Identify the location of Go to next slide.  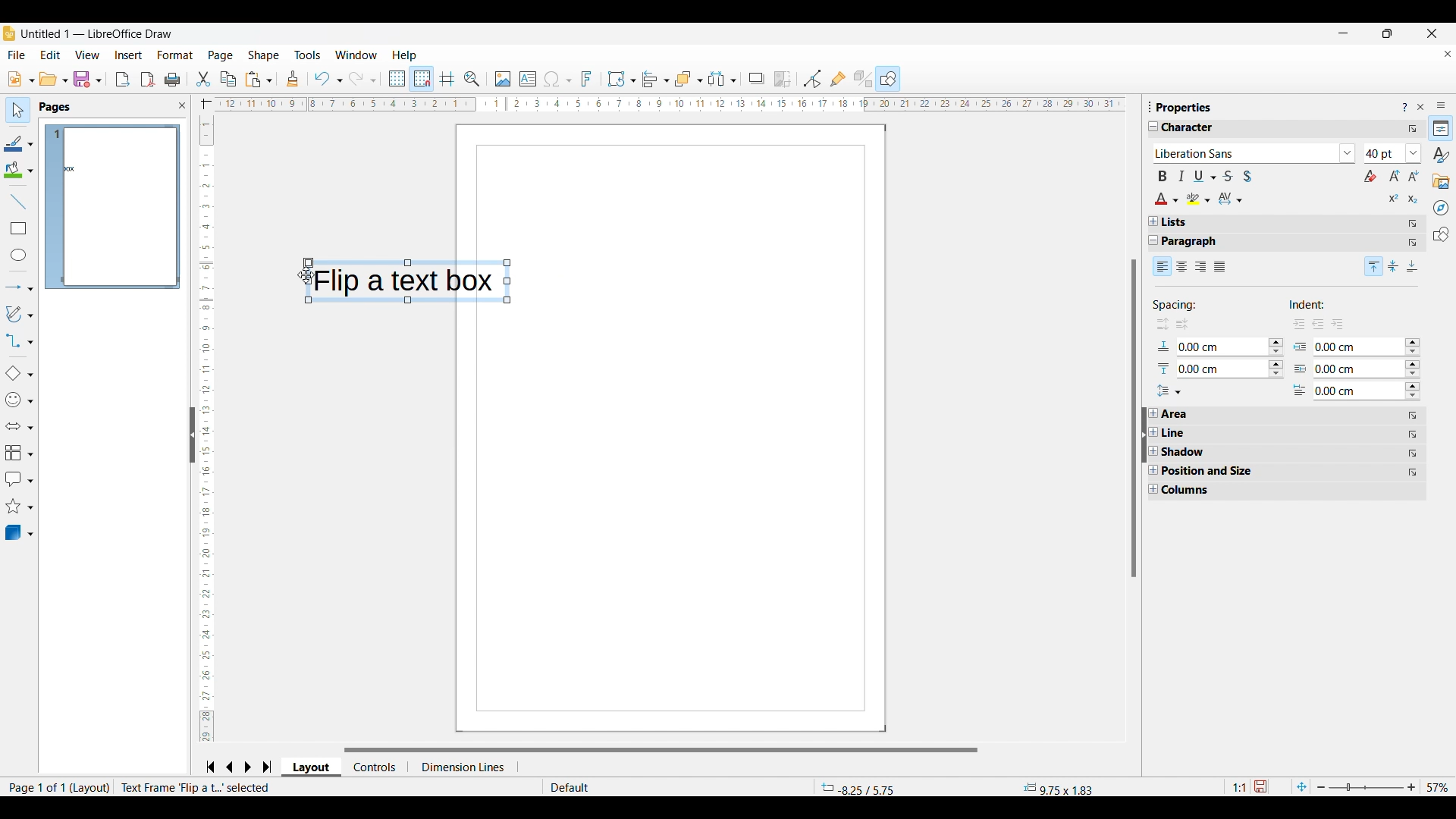
(247, 767).